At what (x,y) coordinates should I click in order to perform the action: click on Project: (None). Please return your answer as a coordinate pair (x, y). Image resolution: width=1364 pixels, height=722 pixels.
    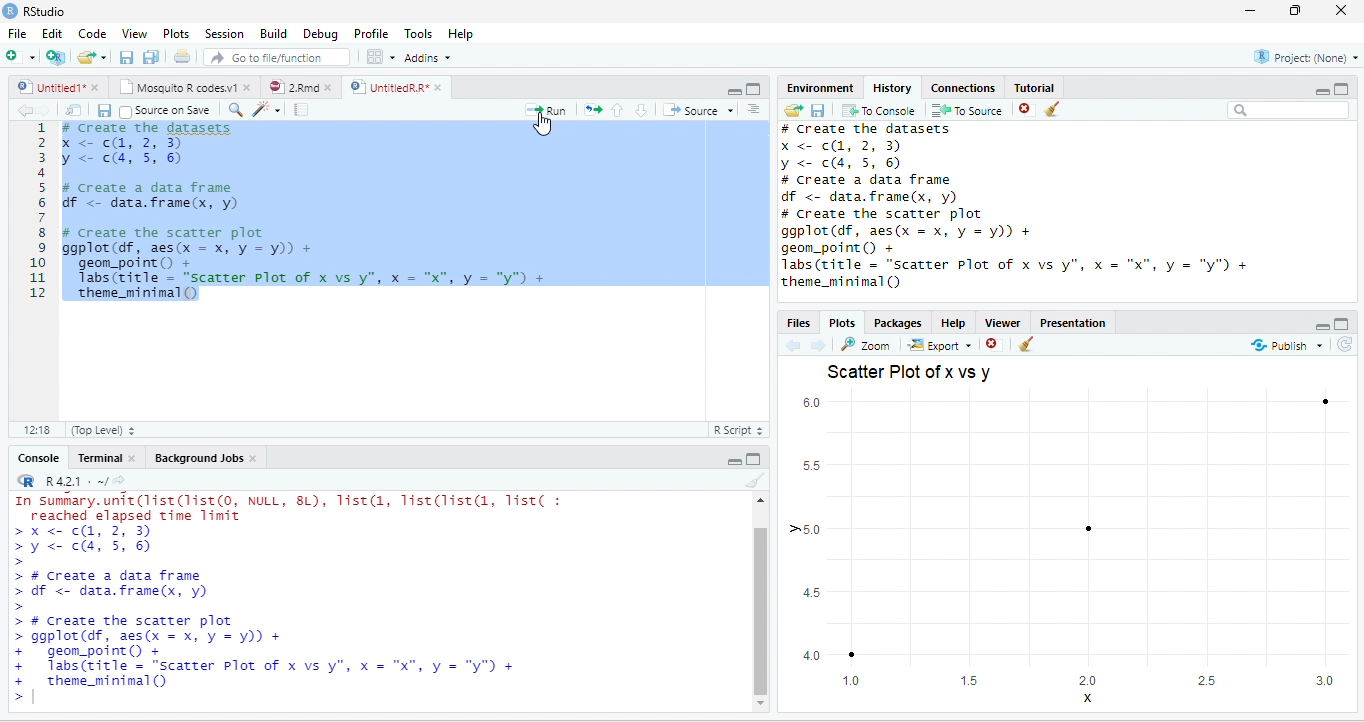
    Looking at the image, I should click on (1305, 57).